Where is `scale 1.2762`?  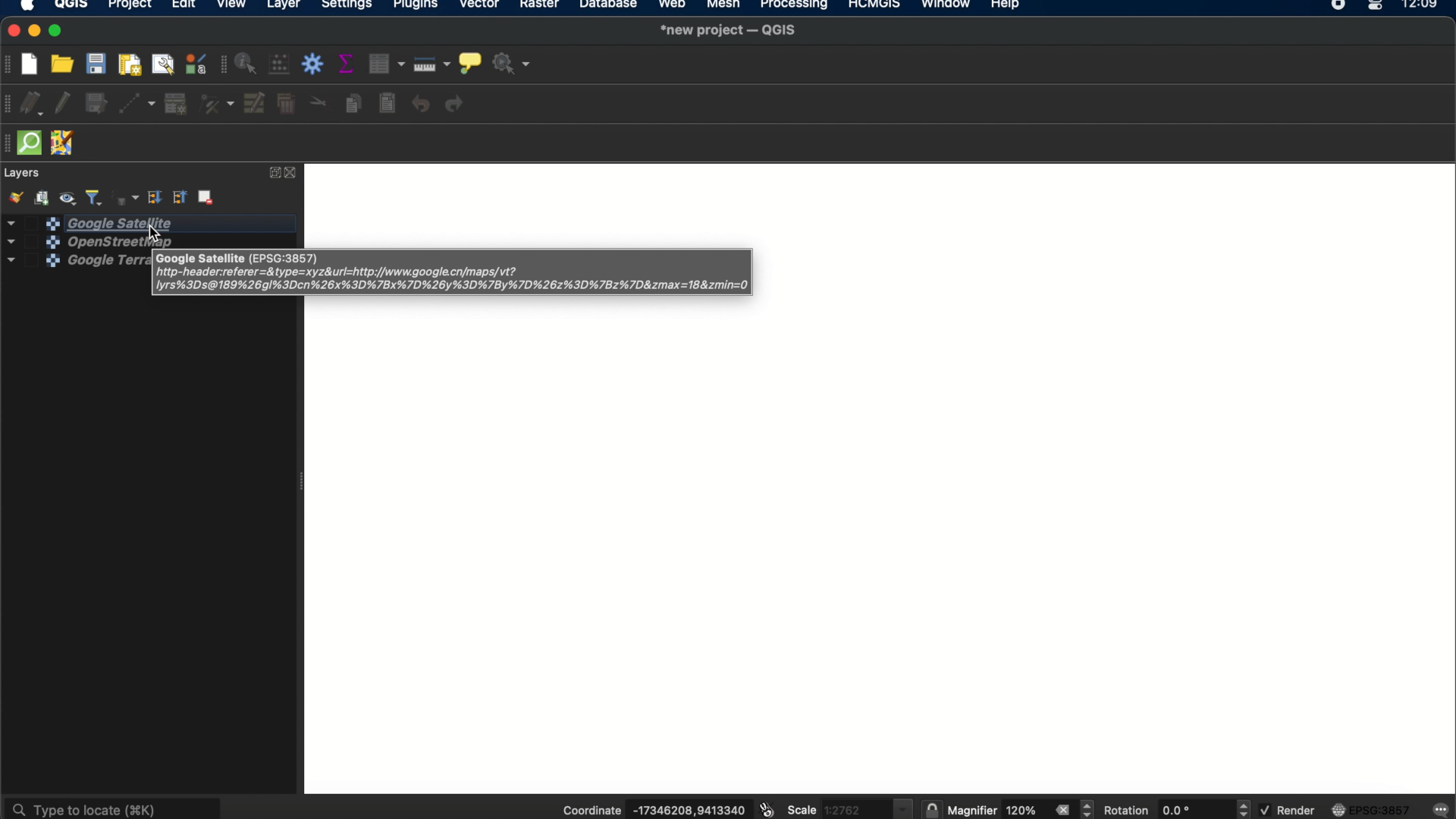
scale 1.2762 is located at coordinates (849, 807).